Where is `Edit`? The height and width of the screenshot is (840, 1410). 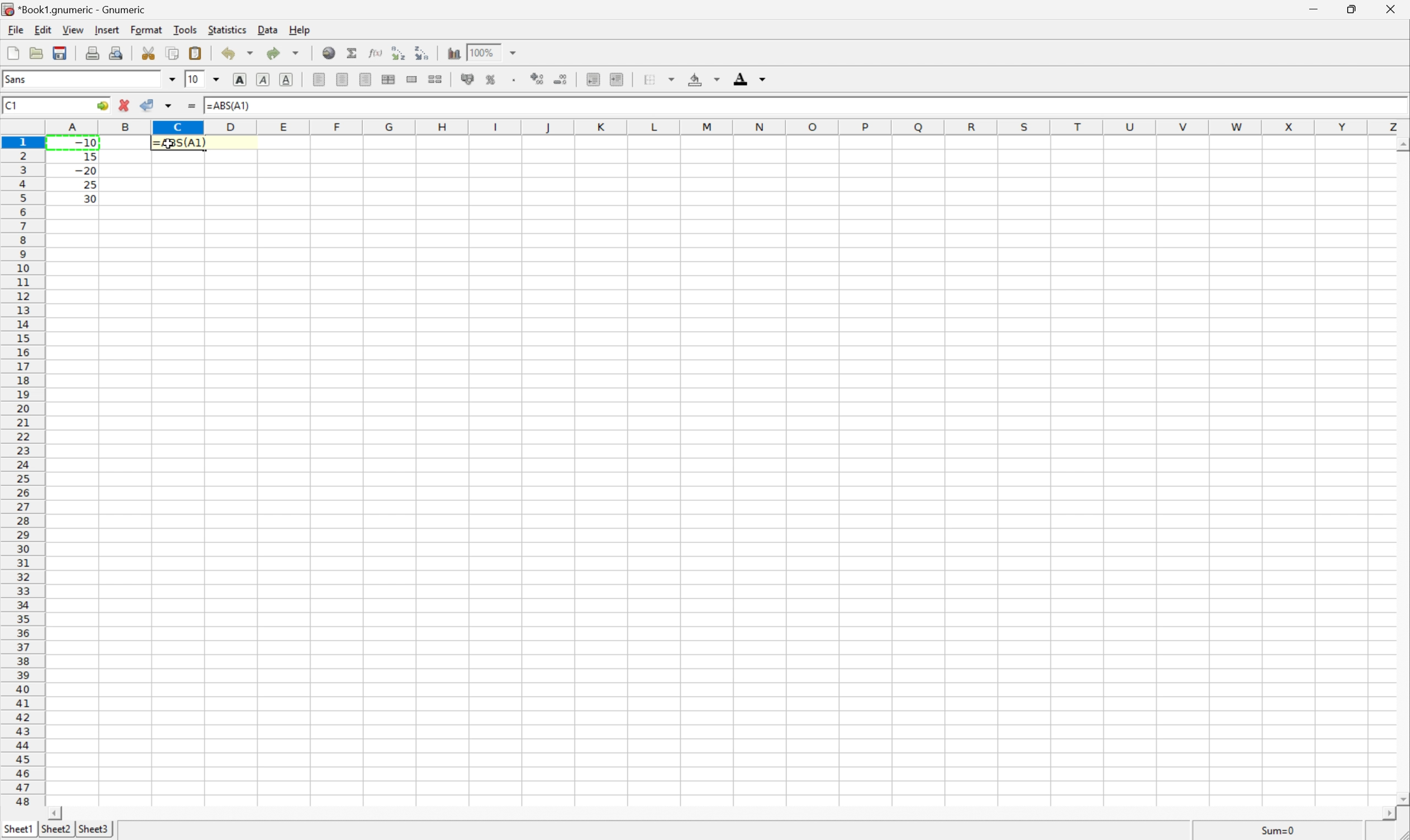 Edit is located at coordinates (44, 28).